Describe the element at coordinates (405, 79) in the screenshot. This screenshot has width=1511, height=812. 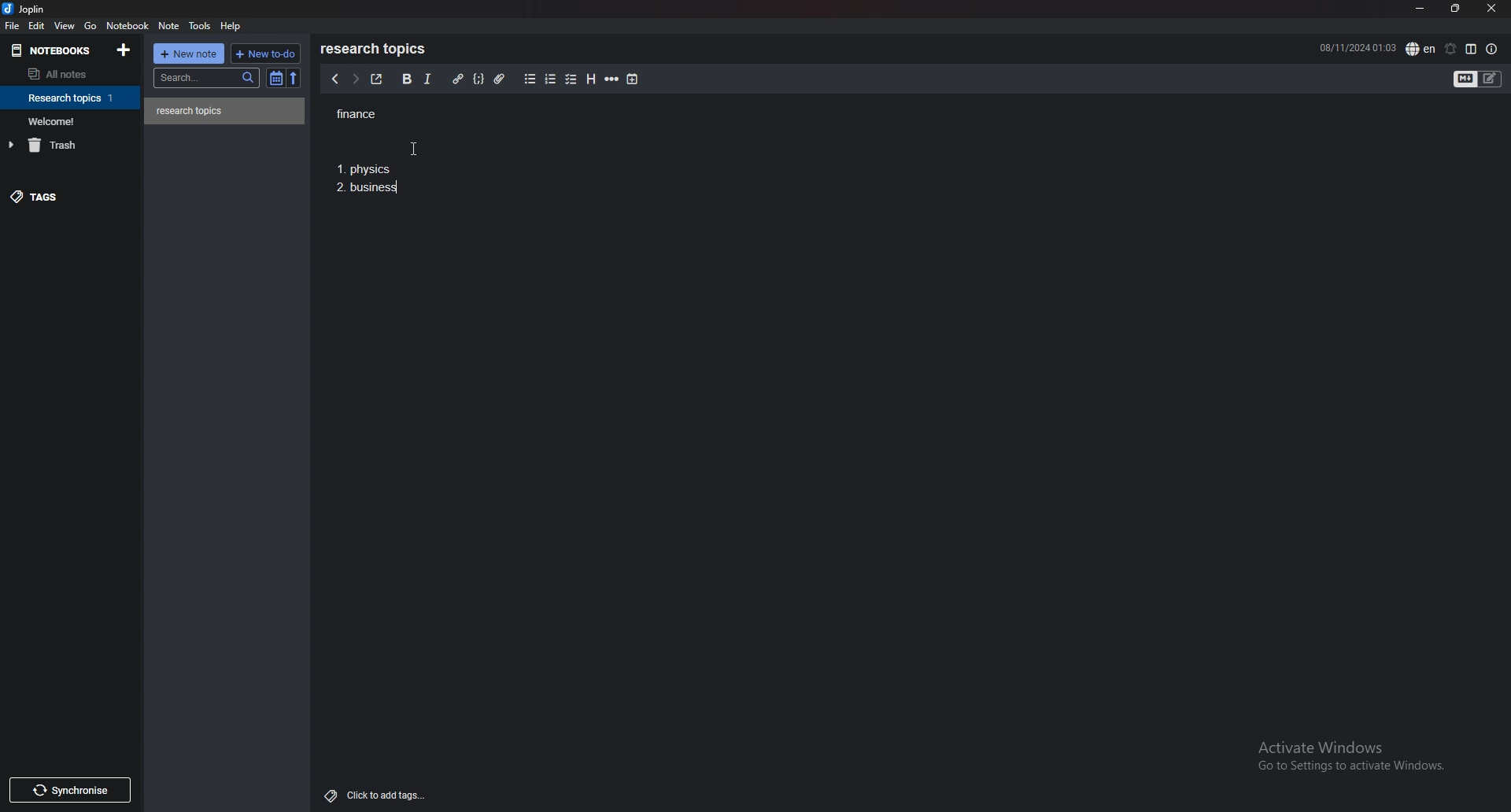
I see `bold` at that location.